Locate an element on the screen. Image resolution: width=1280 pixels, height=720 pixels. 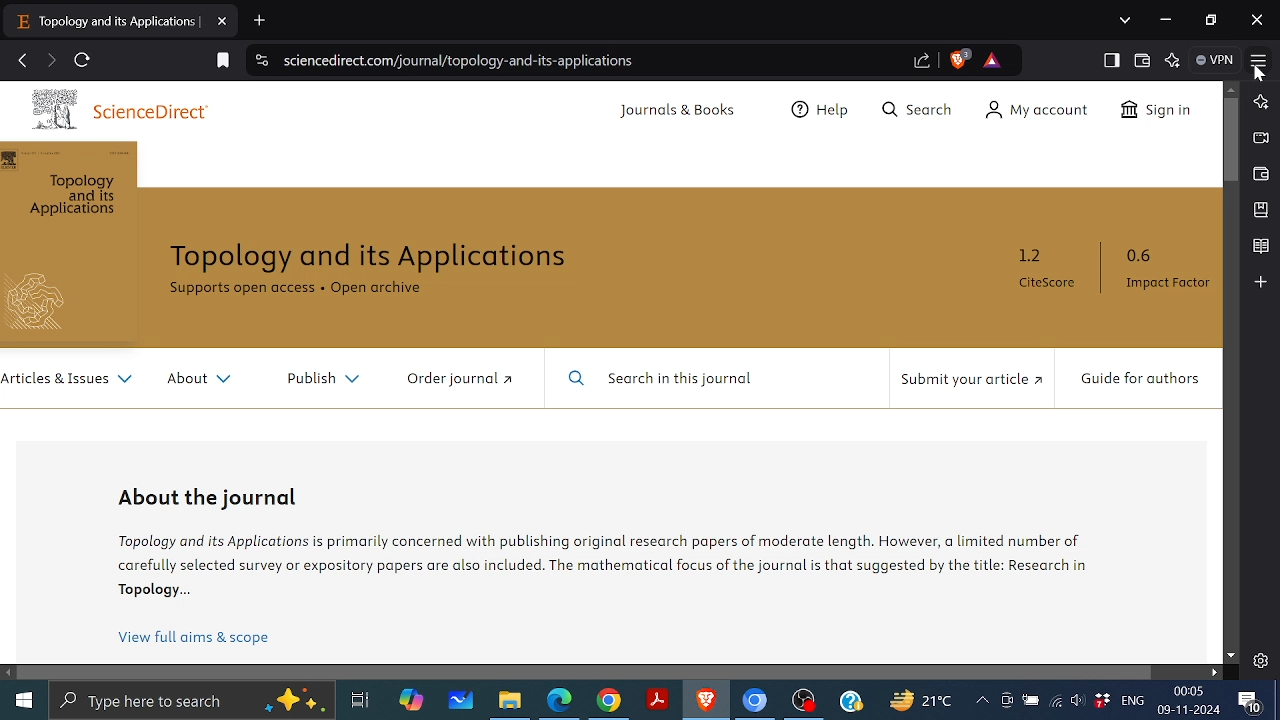
Hidden Icons is located at coordinates (978, 701).